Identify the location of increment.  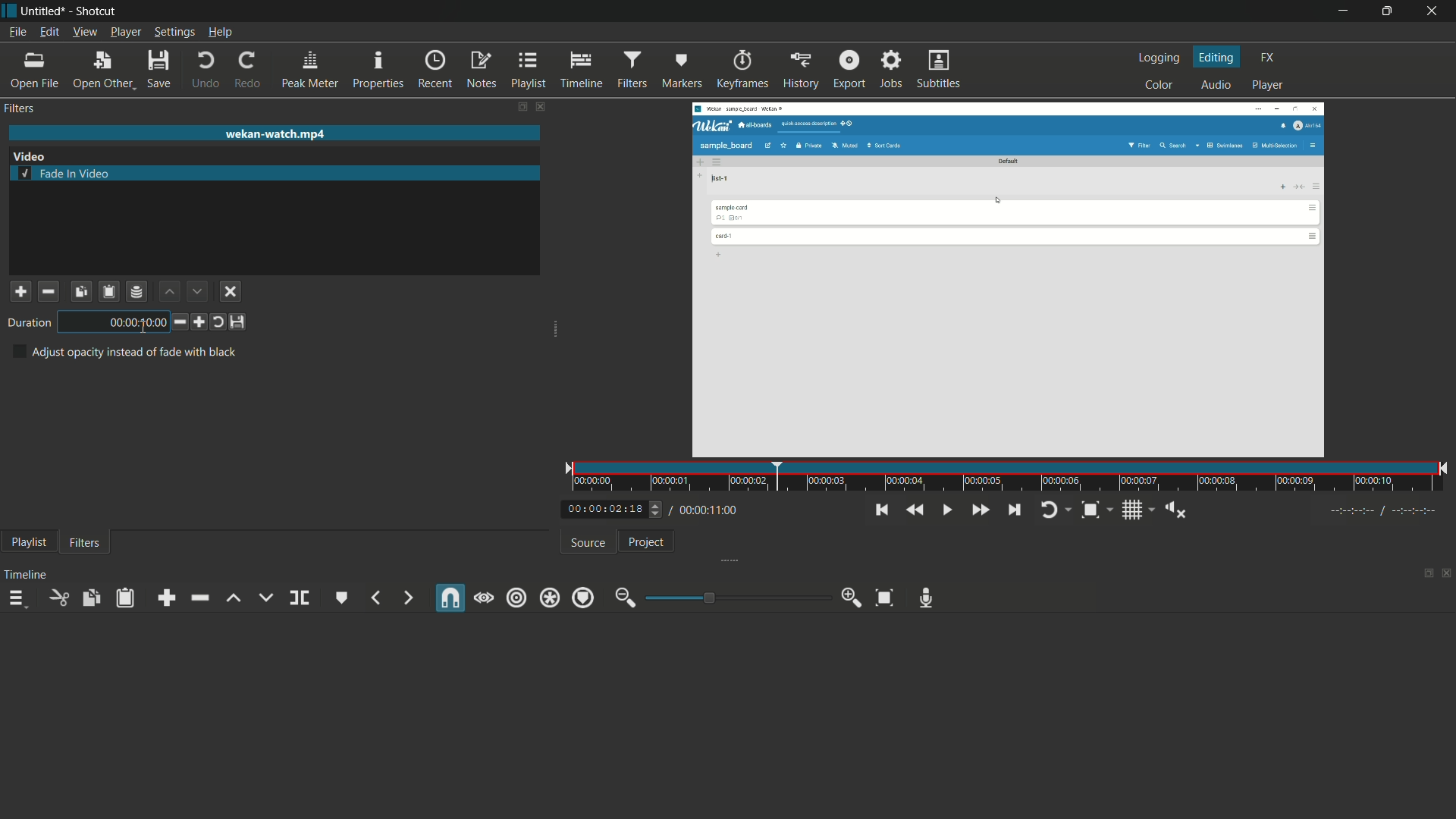
(199, 322).